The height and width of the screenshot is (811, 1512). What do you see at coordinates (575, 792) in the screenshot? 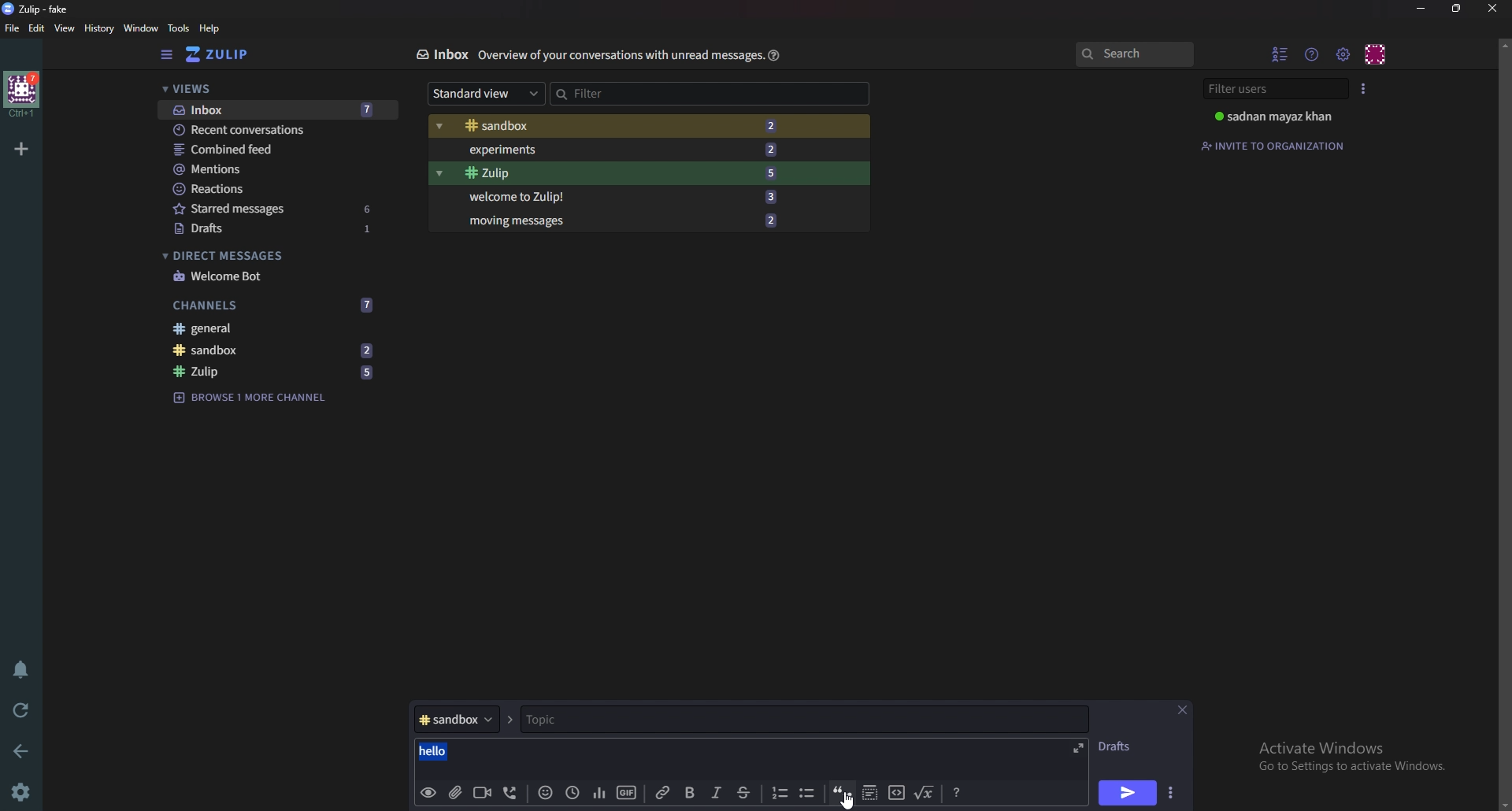
I see `Global time` at bounding box center [575, 792].